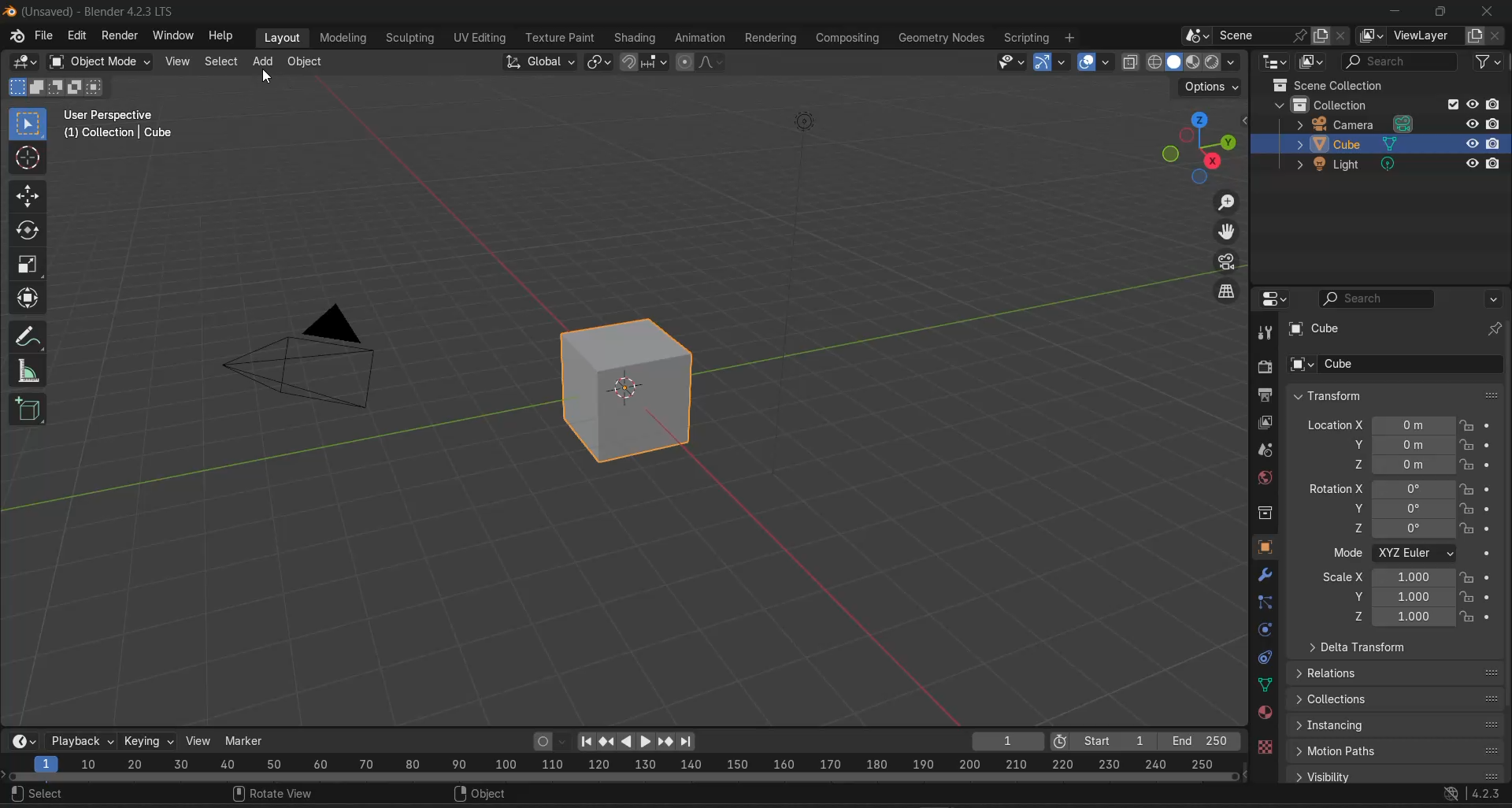 The image size is (1512, 808). What do you see at coordinates (36, 87) in the screenshot?
I see `mode: extend existing selection` at bounding box center [36, 87].